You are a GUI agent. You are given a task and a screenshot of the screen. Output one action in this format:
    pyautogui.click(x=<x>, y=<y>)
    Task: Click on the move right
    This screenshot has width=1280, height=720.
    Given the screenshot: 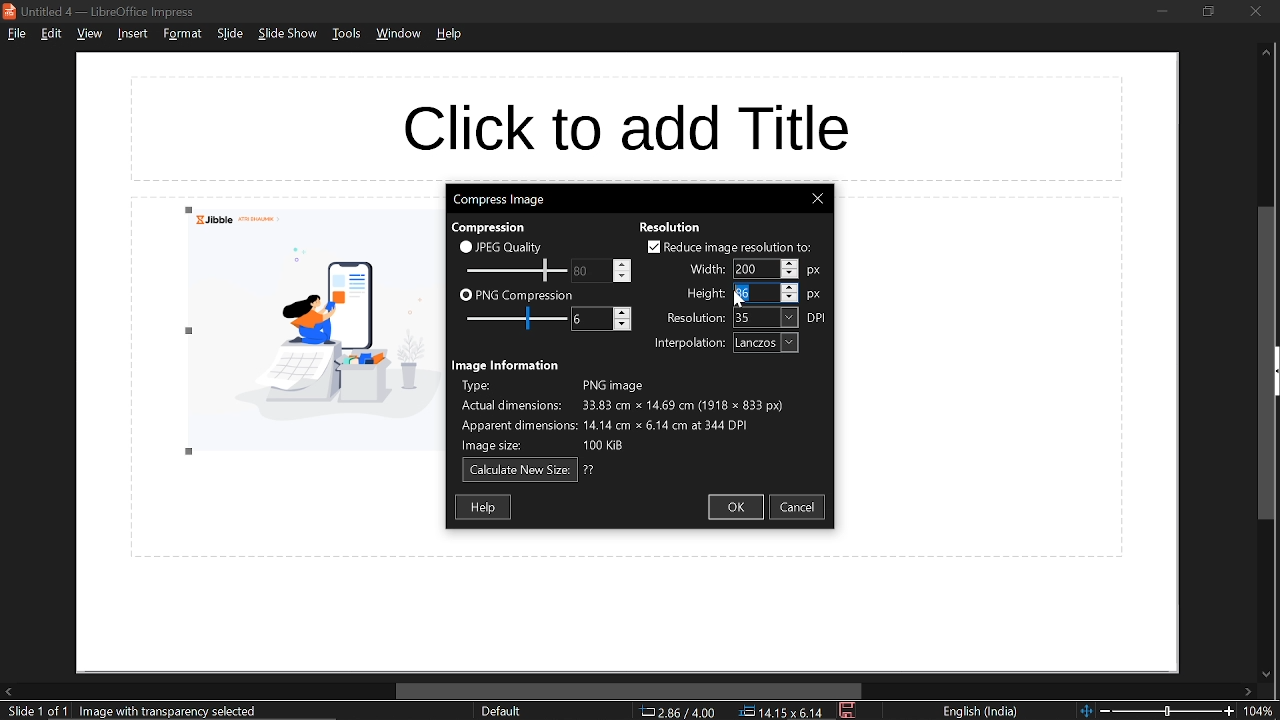 What is the action you would take?
    pyautogui.click(x=1248, y=693)
    